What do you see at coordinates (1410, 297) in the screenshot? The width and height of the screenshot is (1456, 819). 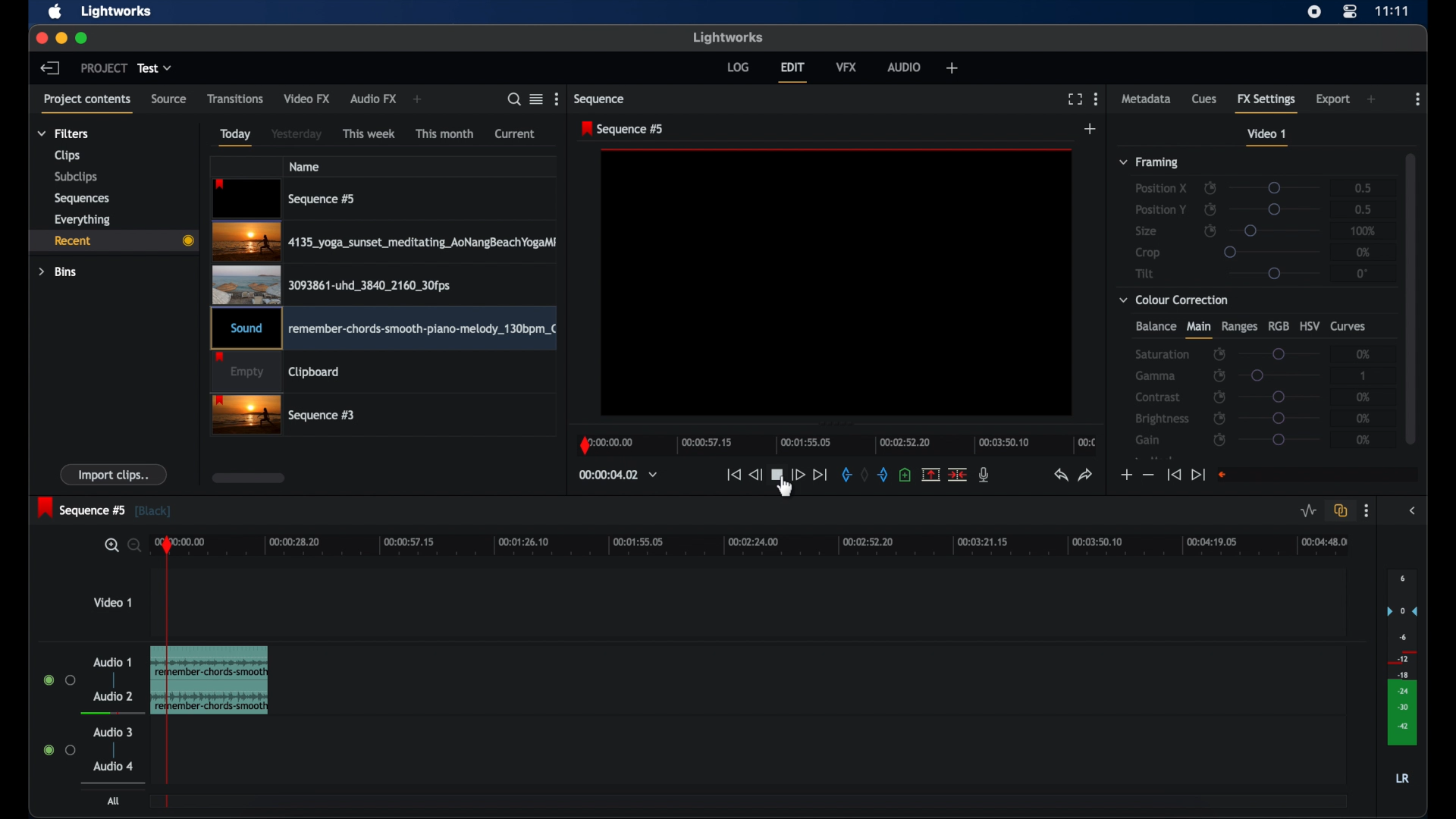 I see `scroll bar` at bounding box center [1410, 297].